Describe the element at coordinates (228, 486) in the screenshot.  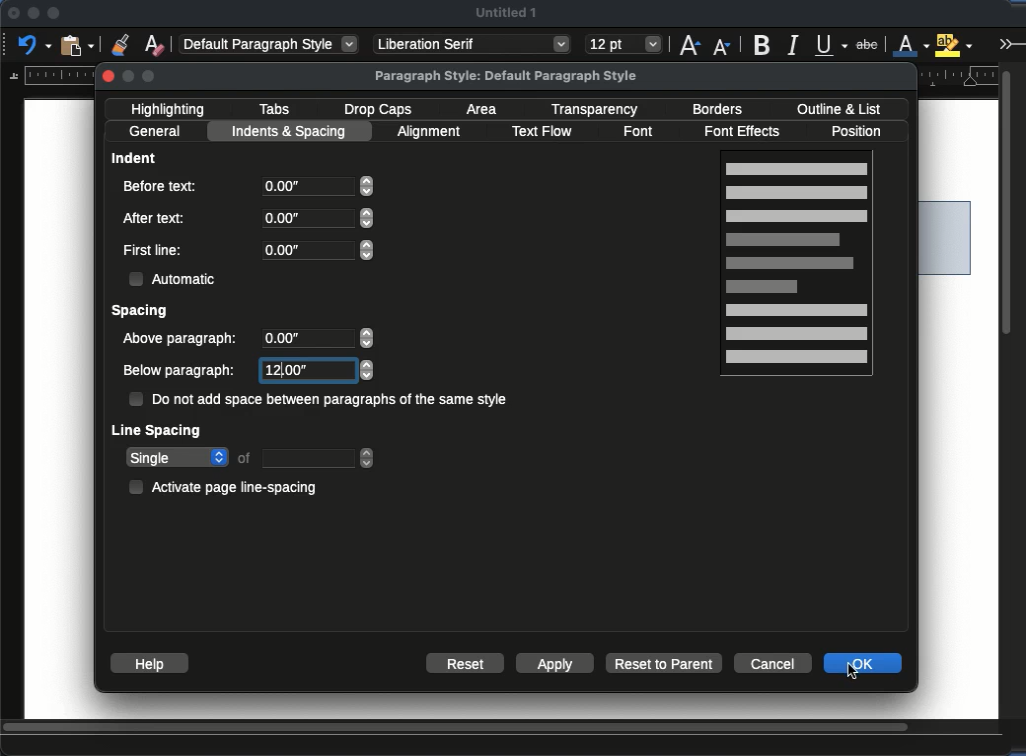
I see `activate page line-spacing ` at that location.